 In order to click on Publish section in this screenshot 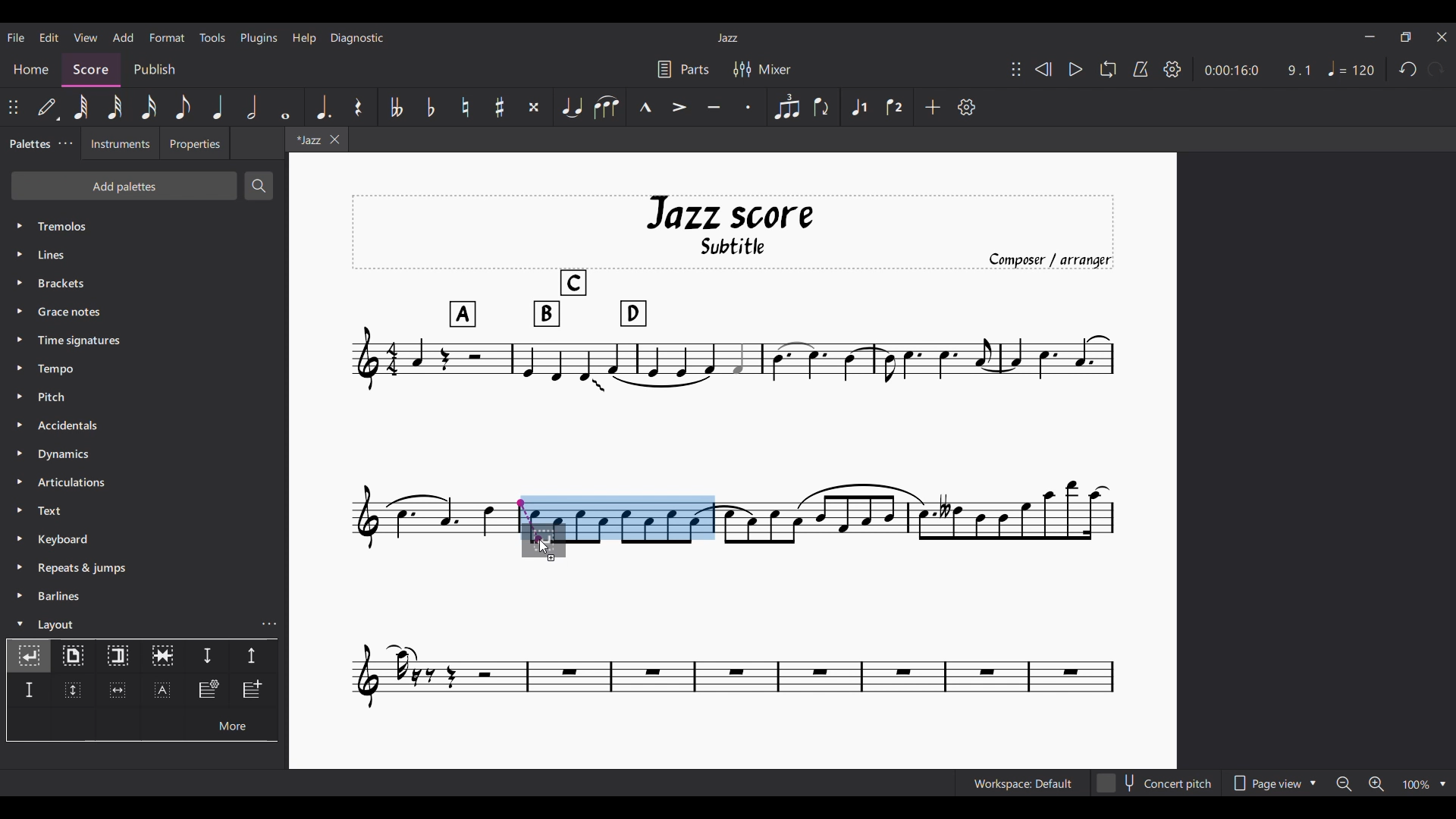, I will do `click(155, 71)`.